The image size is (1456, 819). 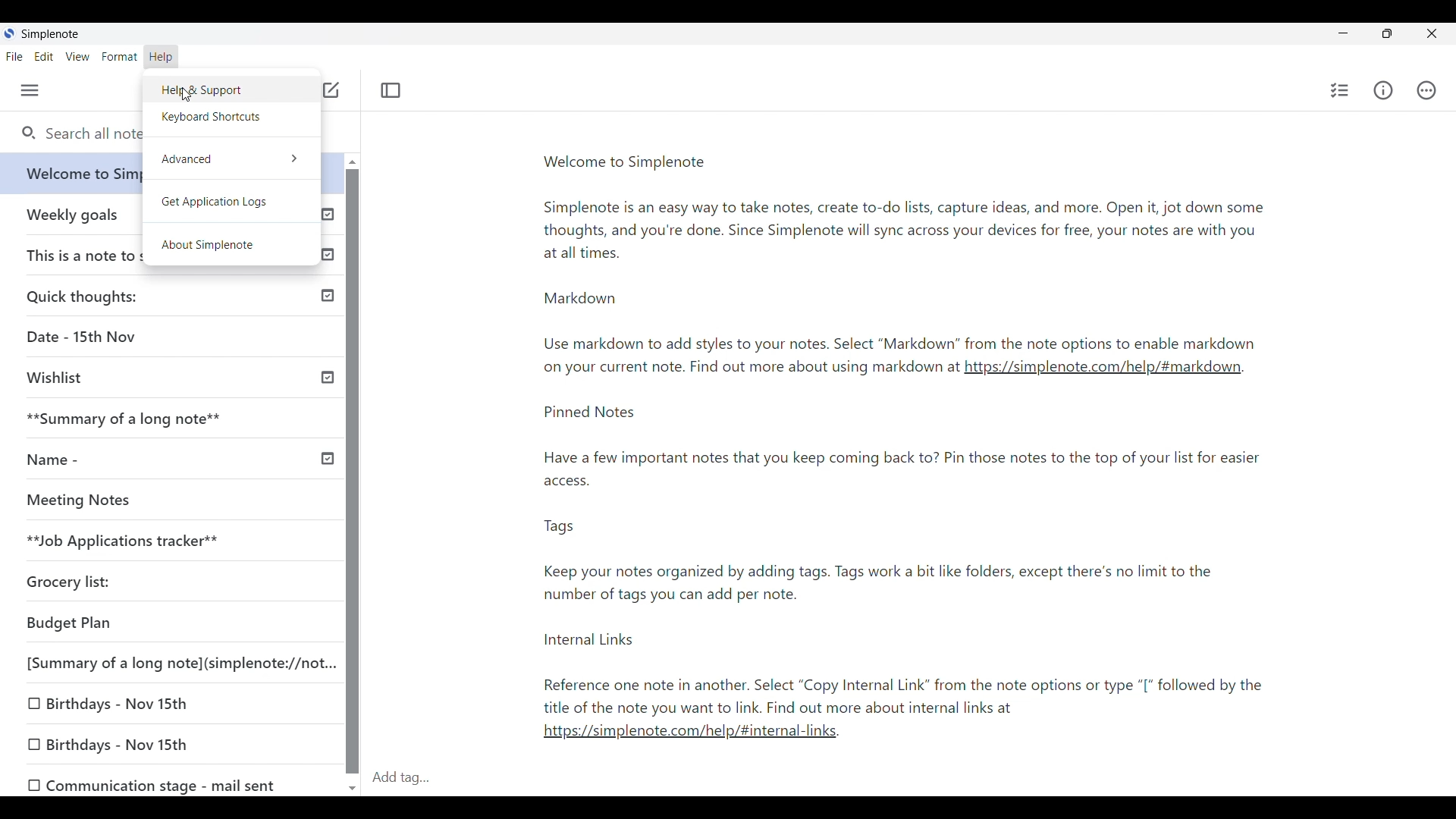 I want to click on Click to close interface , so click(x=1432, y=33).